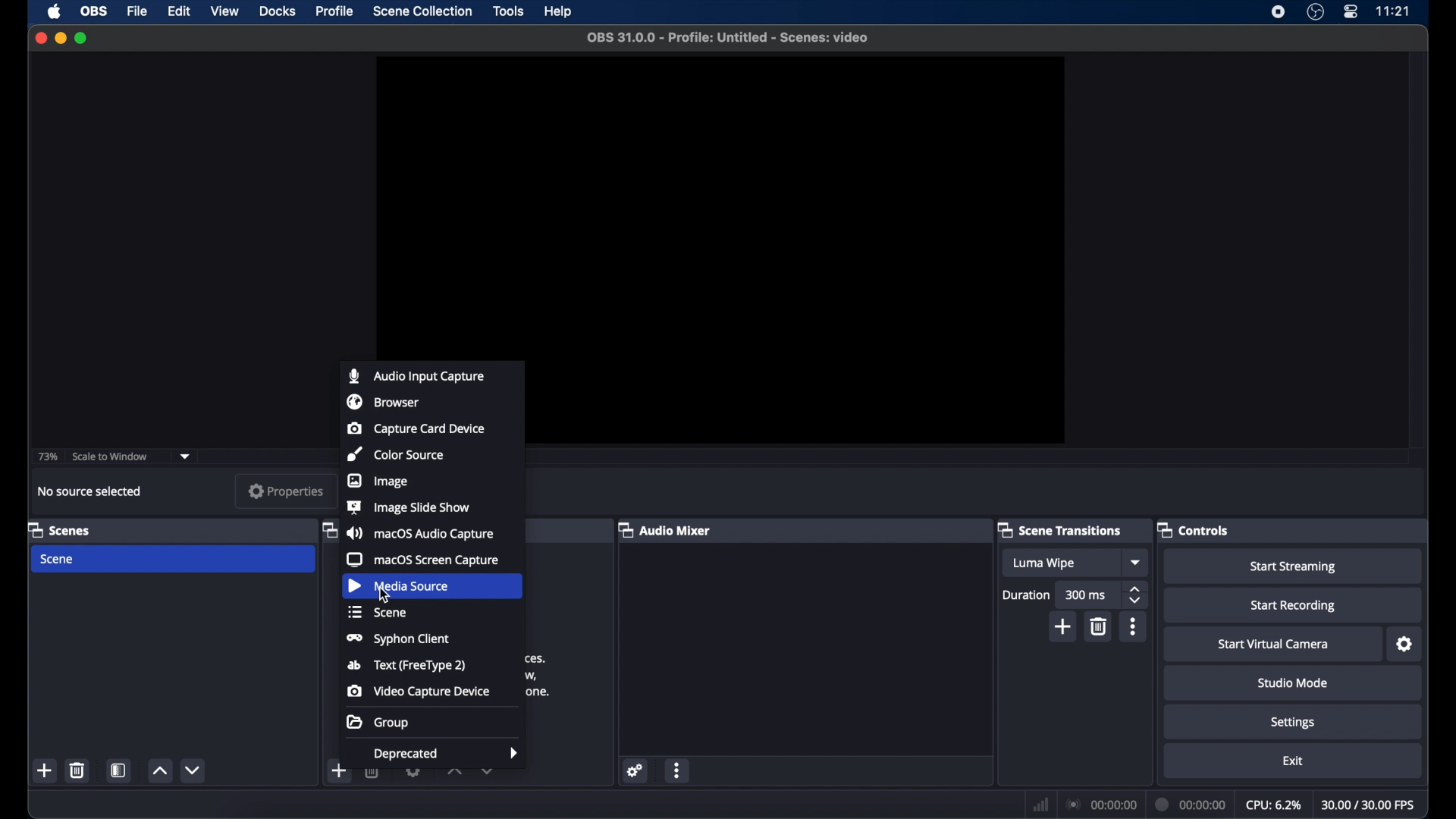 This screenshot has width=1456, height=819. Describe the element at coordinates (60, 38) in the screenshot. I see `minimize` at that location.